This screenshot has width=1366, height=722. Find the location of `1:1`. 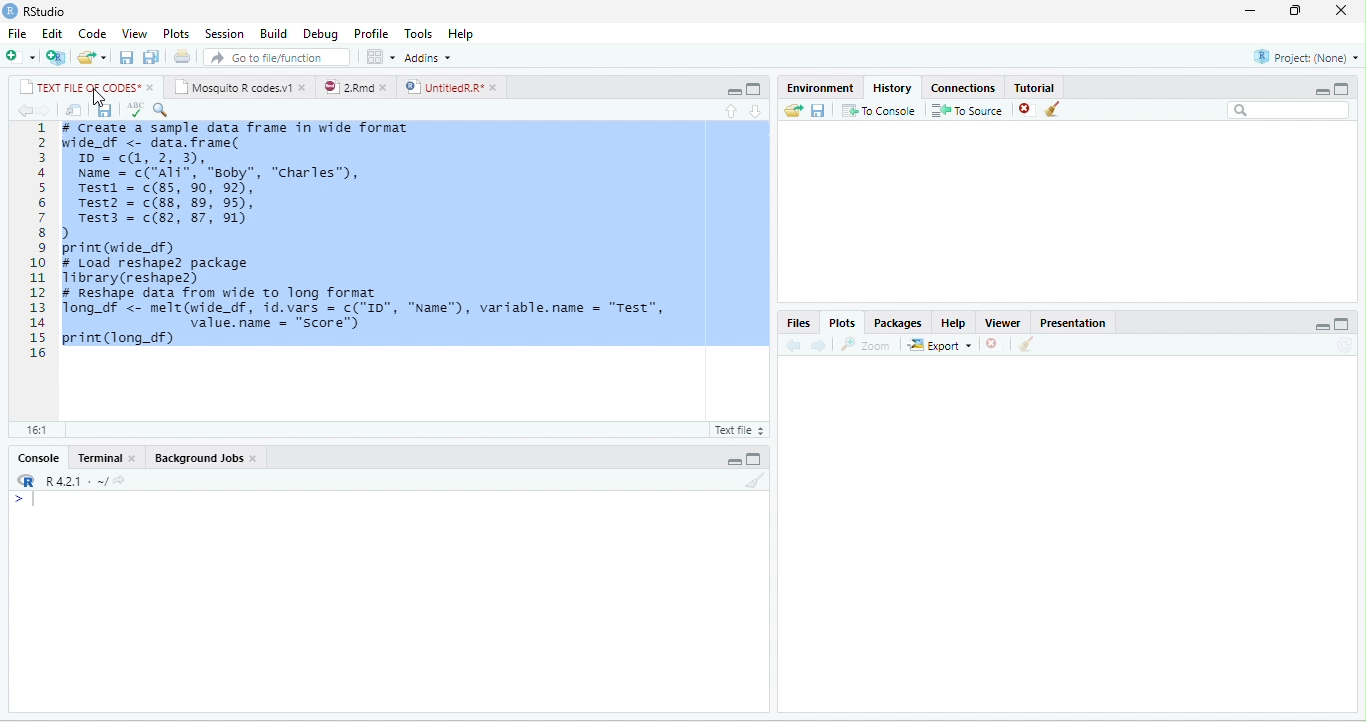

1:1 is located at coordinates (35, 430).